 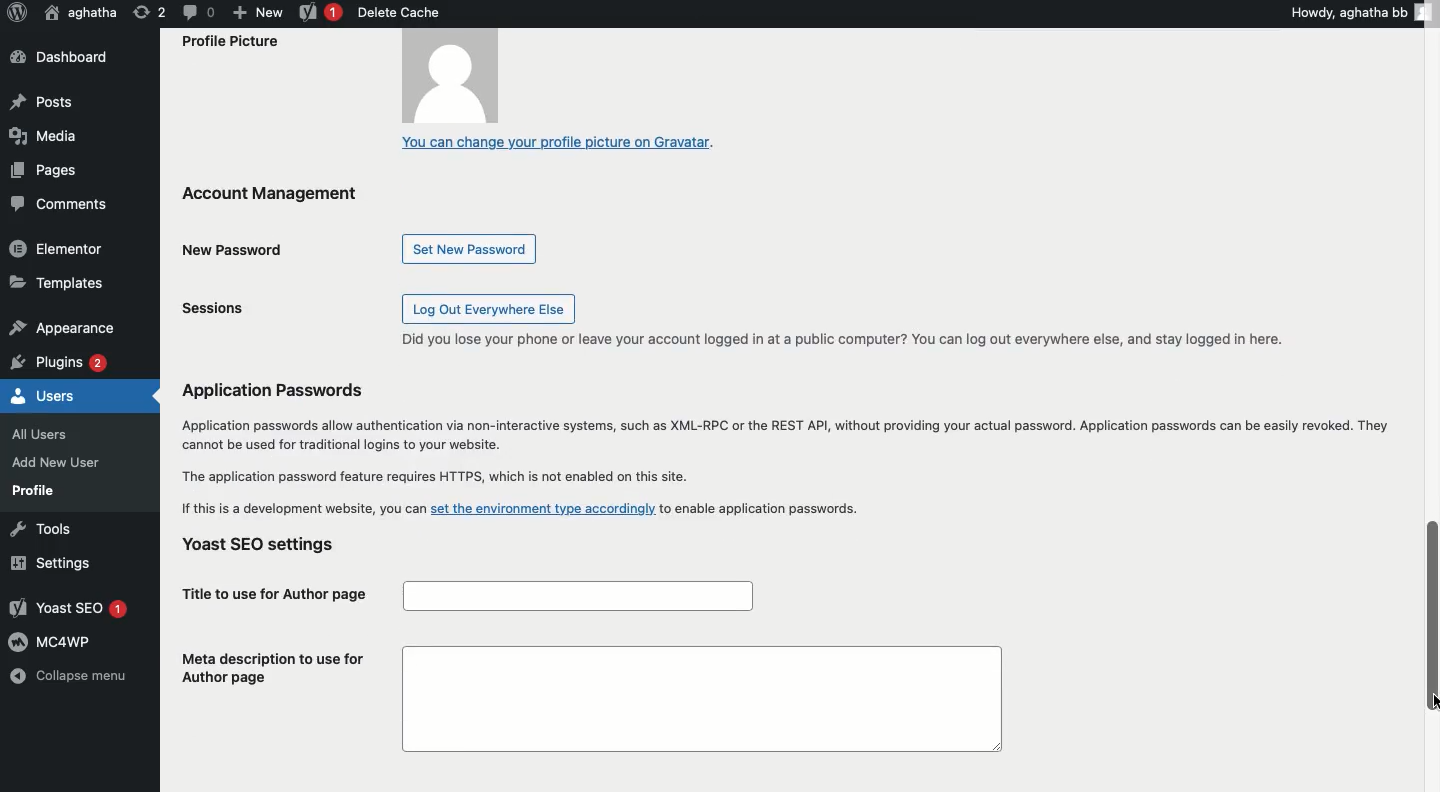 I want to click on Did you lose your phone or leave your account logged in at a public computer? You can log out everywhere else, and stay logged in here., so click(x=843, y=339).